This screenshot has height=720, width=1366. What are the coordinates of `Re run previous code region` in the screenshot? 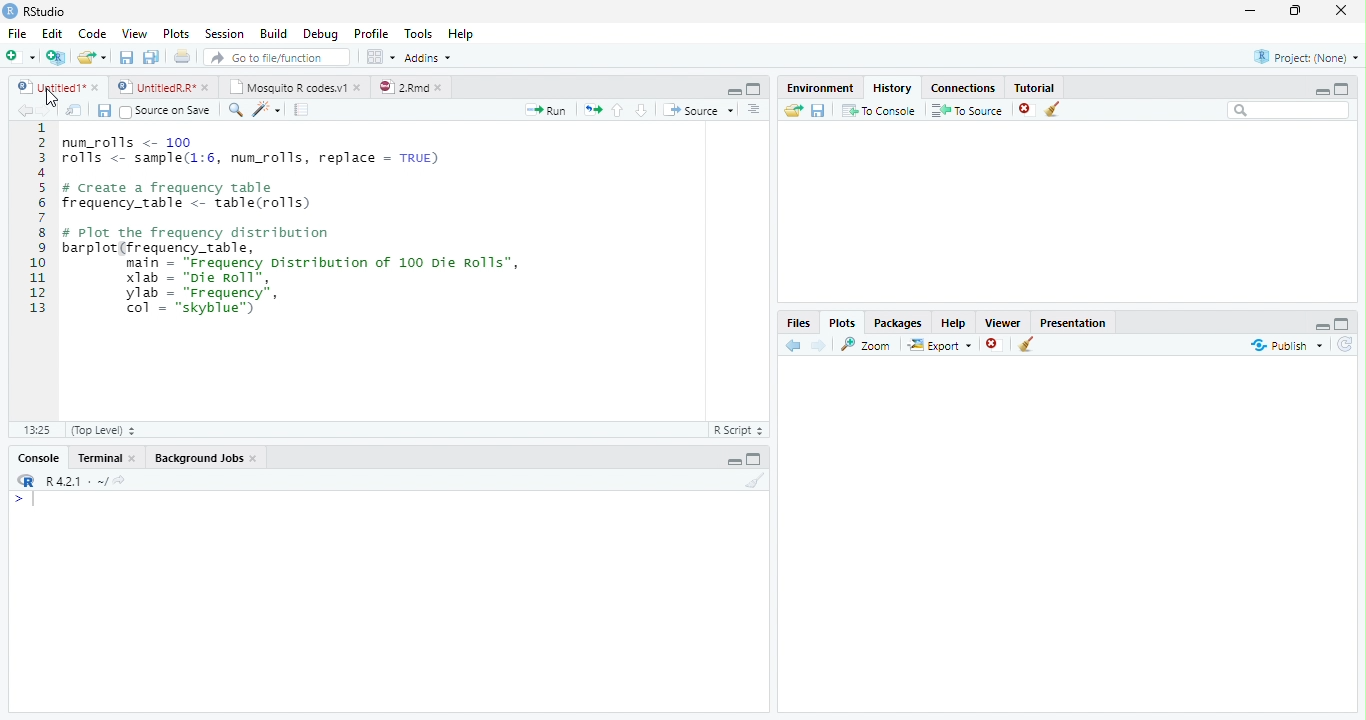 It's located at (591, 111).